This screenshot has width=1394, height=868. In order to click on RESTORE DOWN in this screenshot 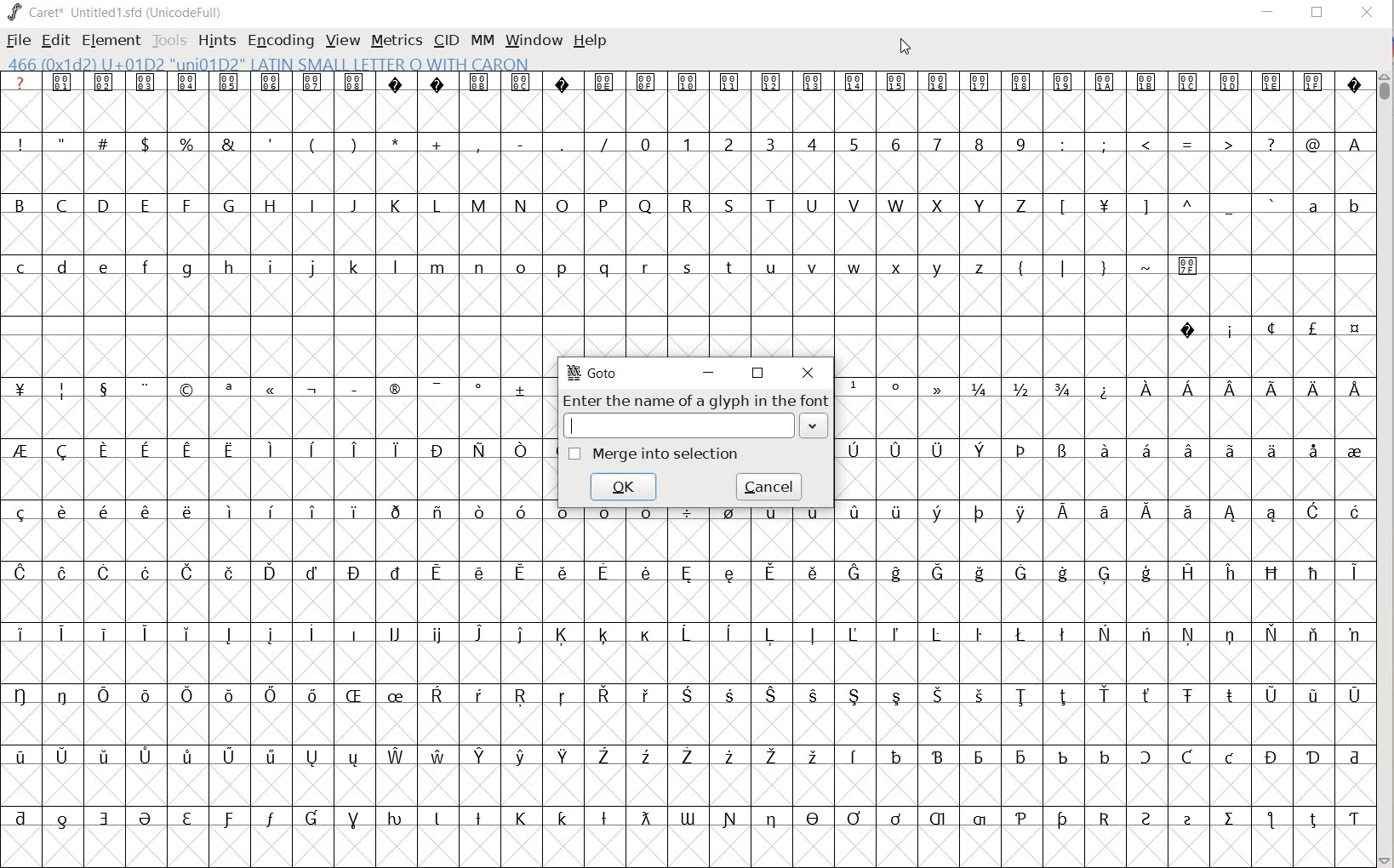, I will do `click(1317, 16)`.